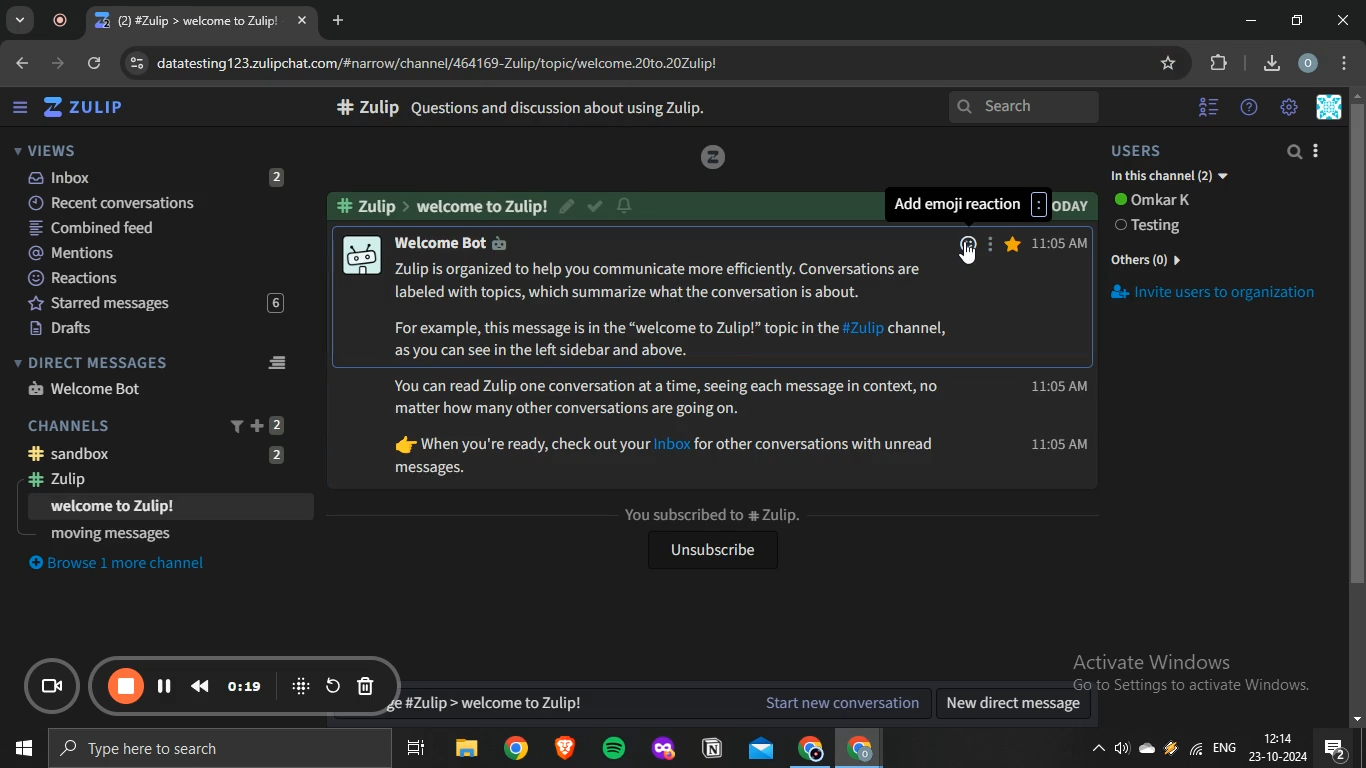 This screenshot has width=1366, height=768. Describe the element at coordinates (158, 424) in the screenshot. I see `channels` at that location.